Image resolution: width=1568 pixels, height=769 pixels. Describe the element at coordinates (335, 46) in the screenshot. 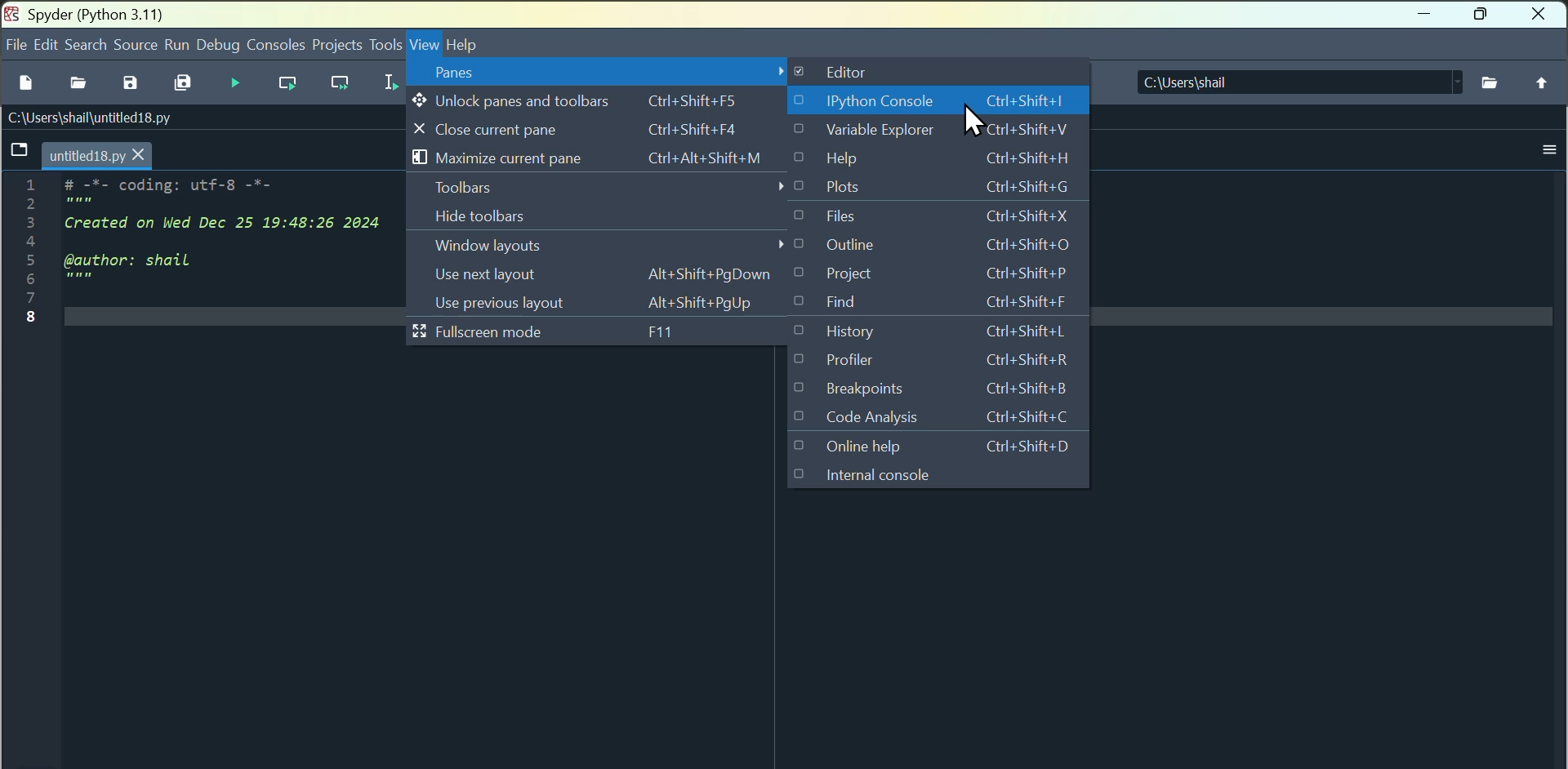

I see `Project` at that location.